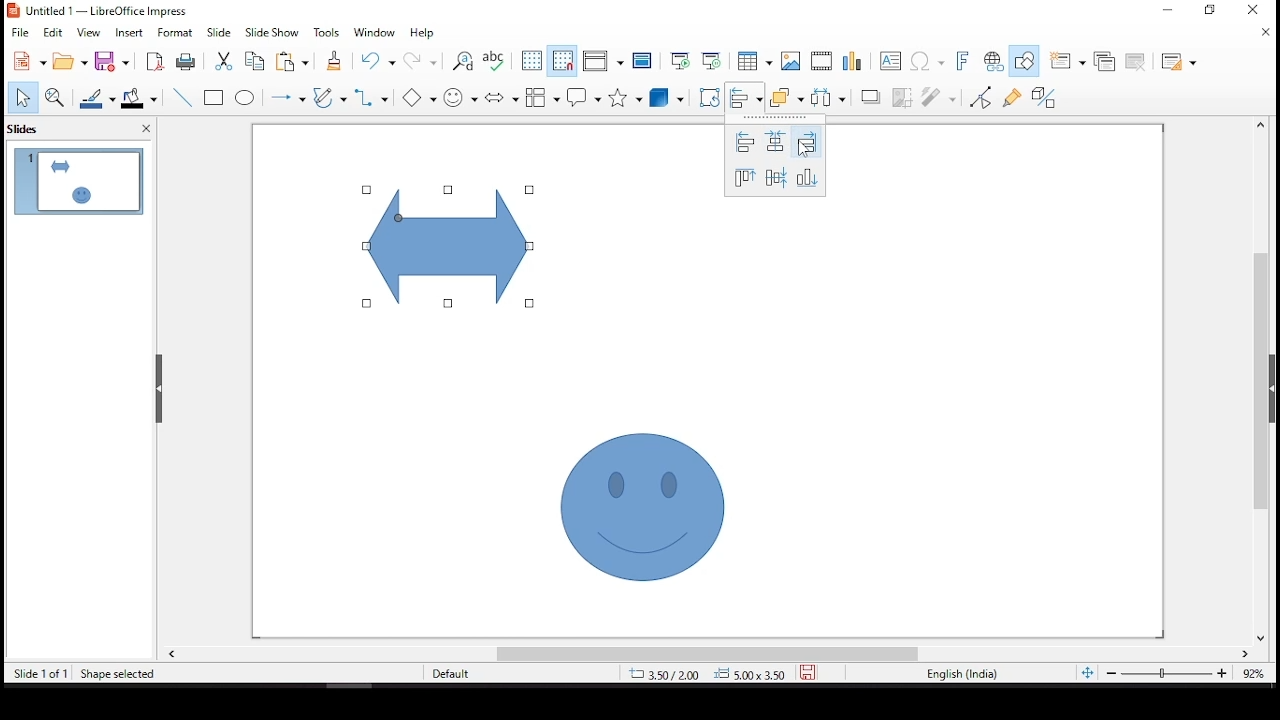 This screenshot has width=1280, height=720. Describe the element at coordinates (1135, 62) in the screenshot. I see `delete slide` at that location.